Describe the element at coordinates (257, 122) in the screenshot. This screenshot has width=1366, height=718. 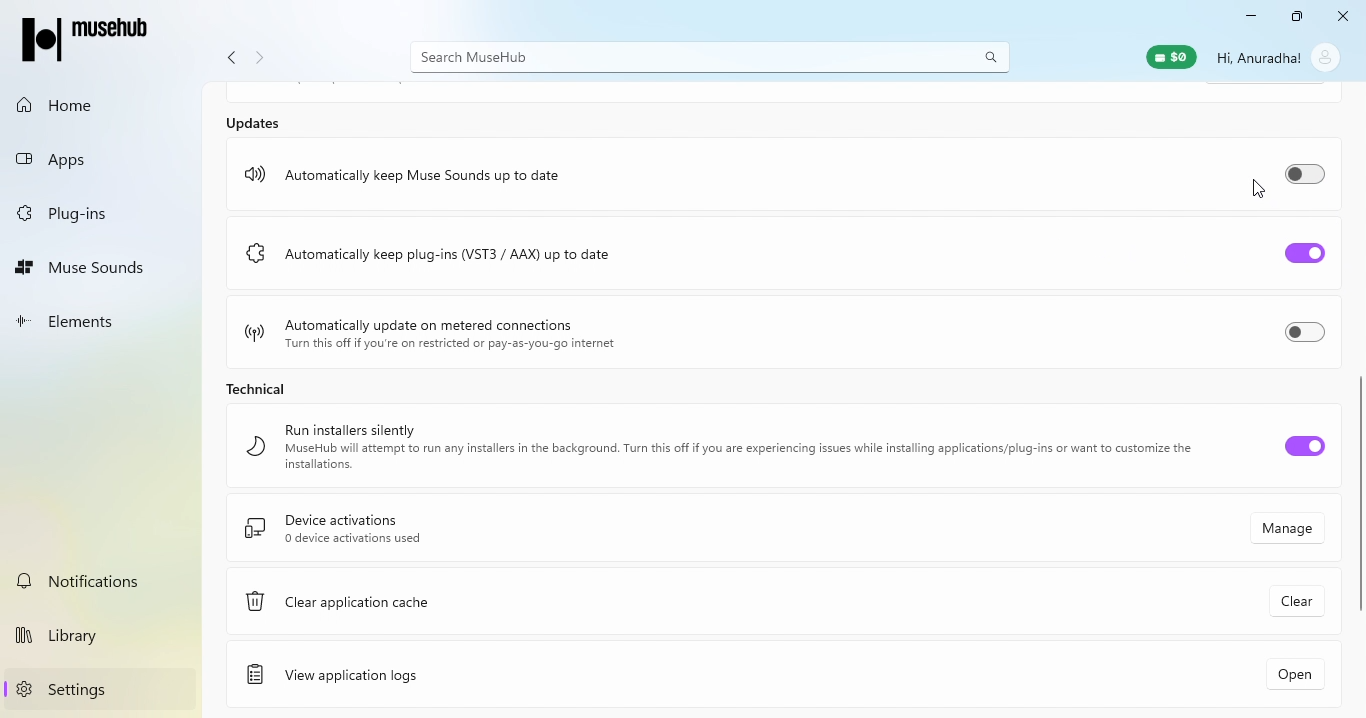
I see `Updates` at that location.